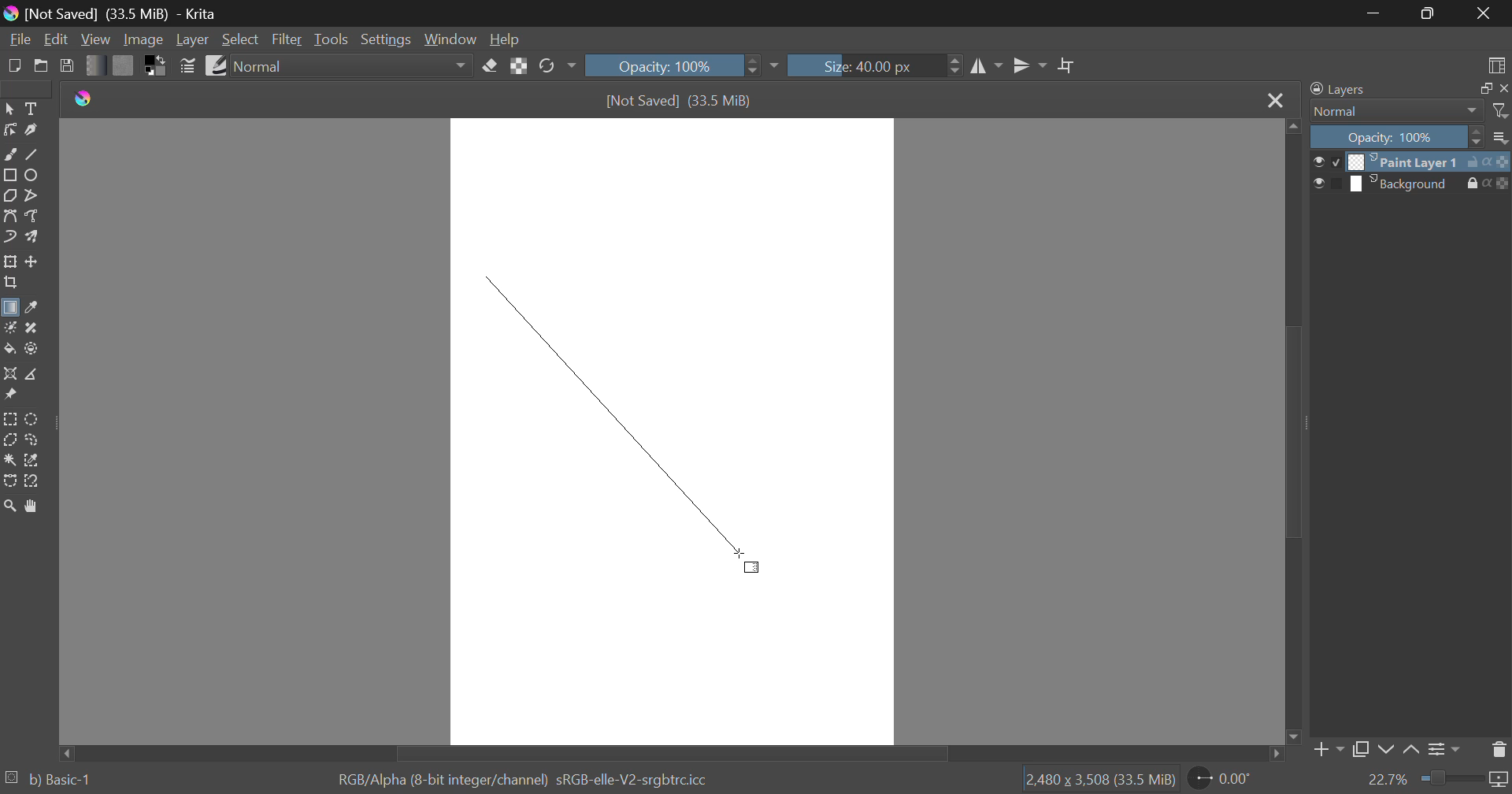  What do you see at coordinates (156, 65) in the screenshot?
I see `Colors in use` at bounding box center [156, 65].